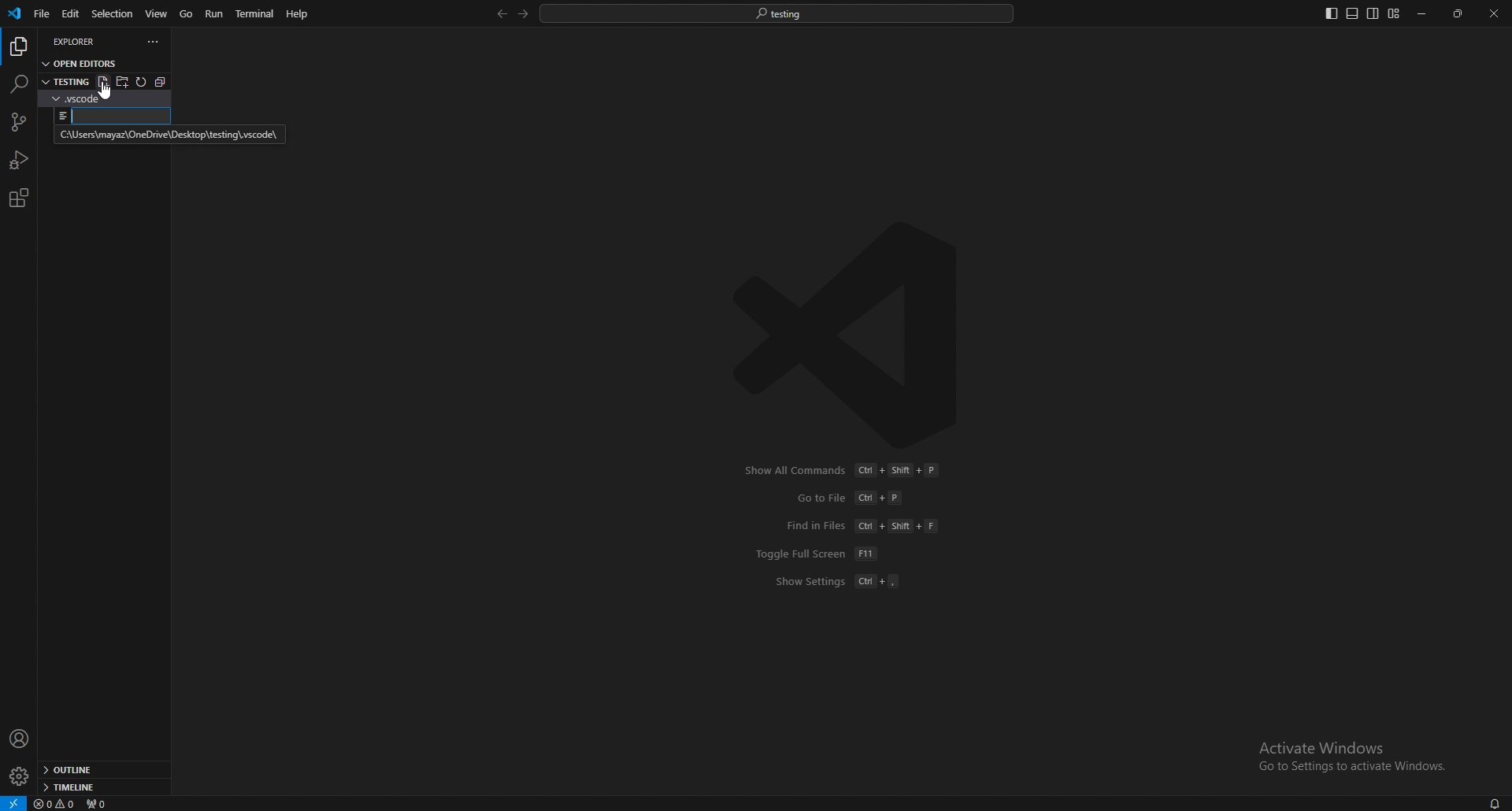 The height and width of the screenshot is (811, 1512). What do you see at coordinates (20, 160) in the screenshot?
I see `run and debug` at bounding box center [20, 160].